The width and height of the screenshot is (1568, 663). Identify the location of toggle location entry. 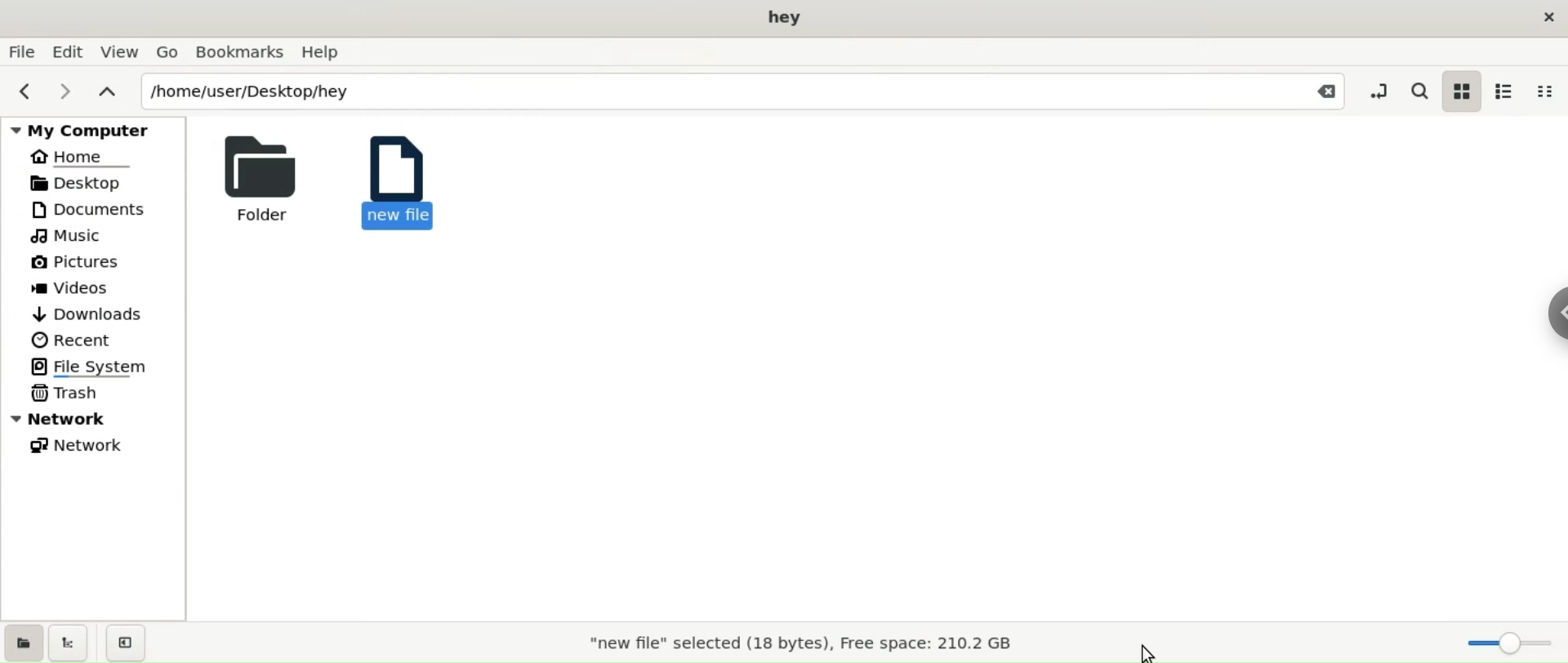
(1382, 90).